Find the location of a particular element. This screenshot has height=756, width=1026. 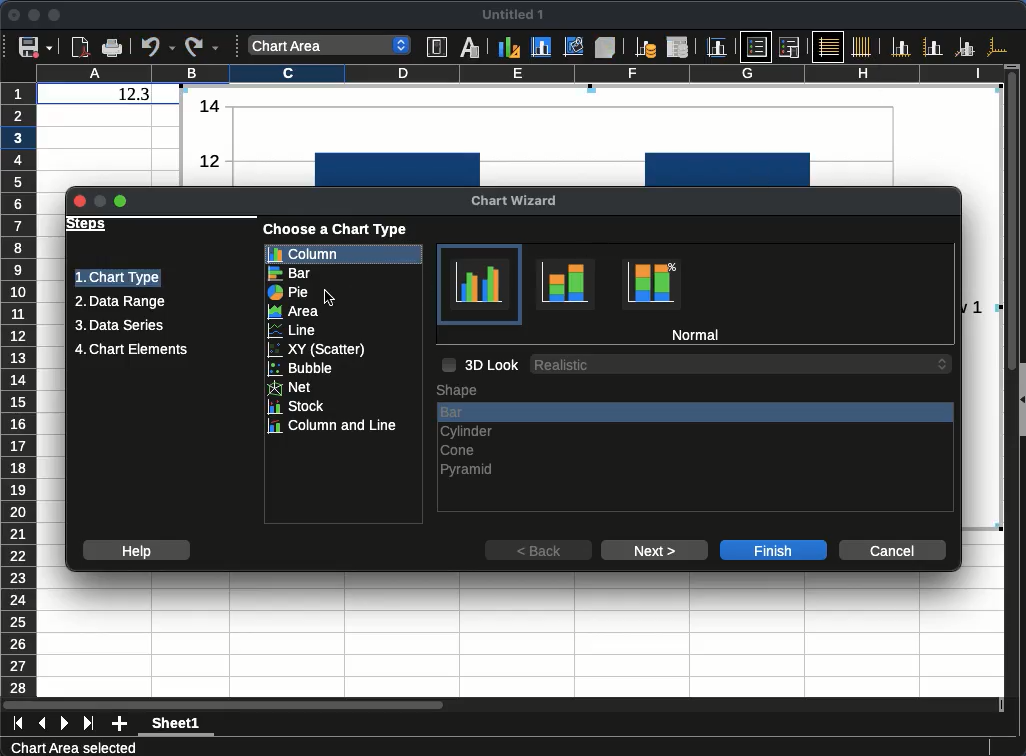

chart wizard is located at coordinates (515, 202).